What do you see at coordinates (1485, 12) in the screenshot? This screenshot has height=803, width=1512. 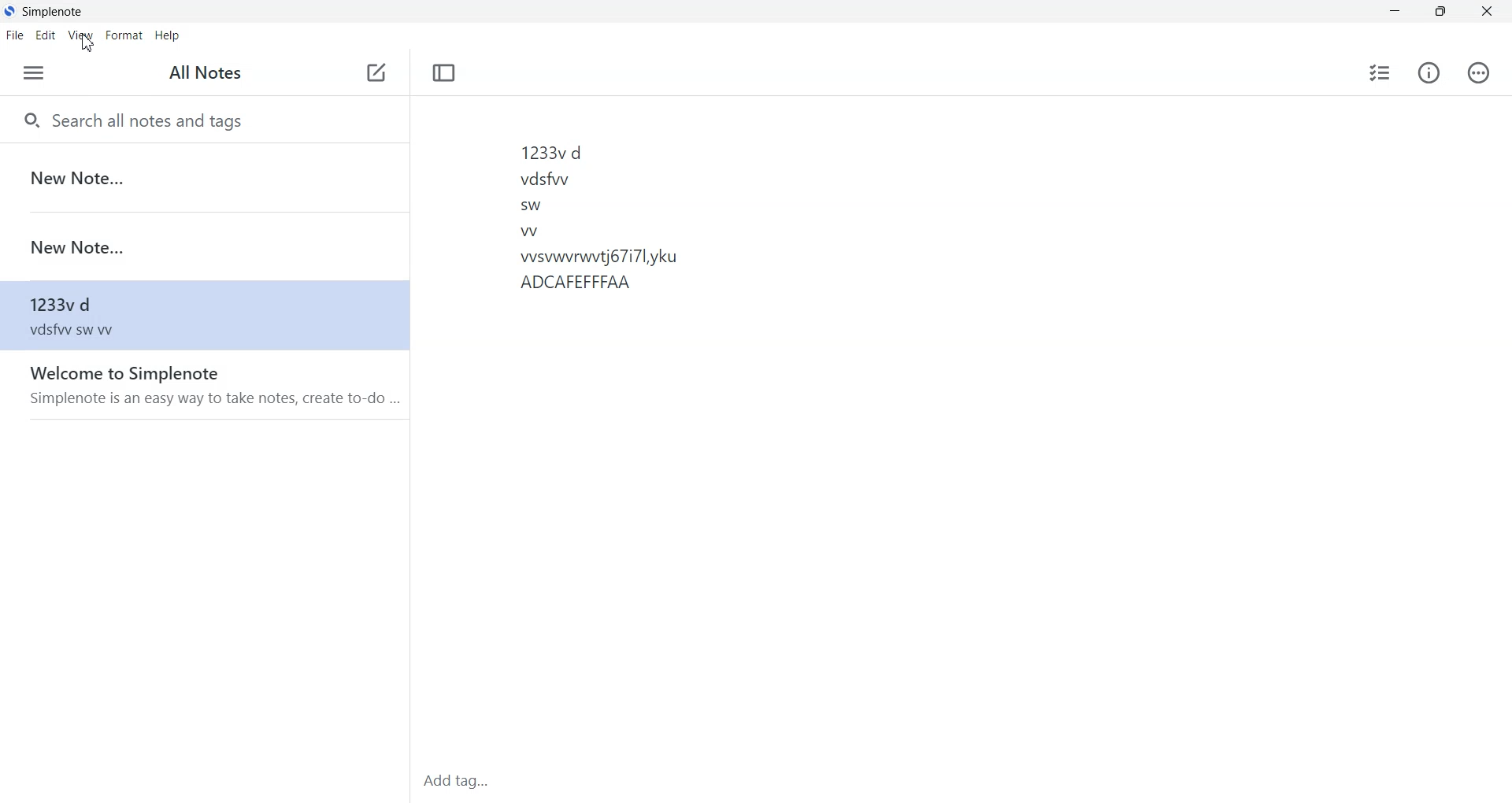 I see `Close` at bounding box center [1485, 12].